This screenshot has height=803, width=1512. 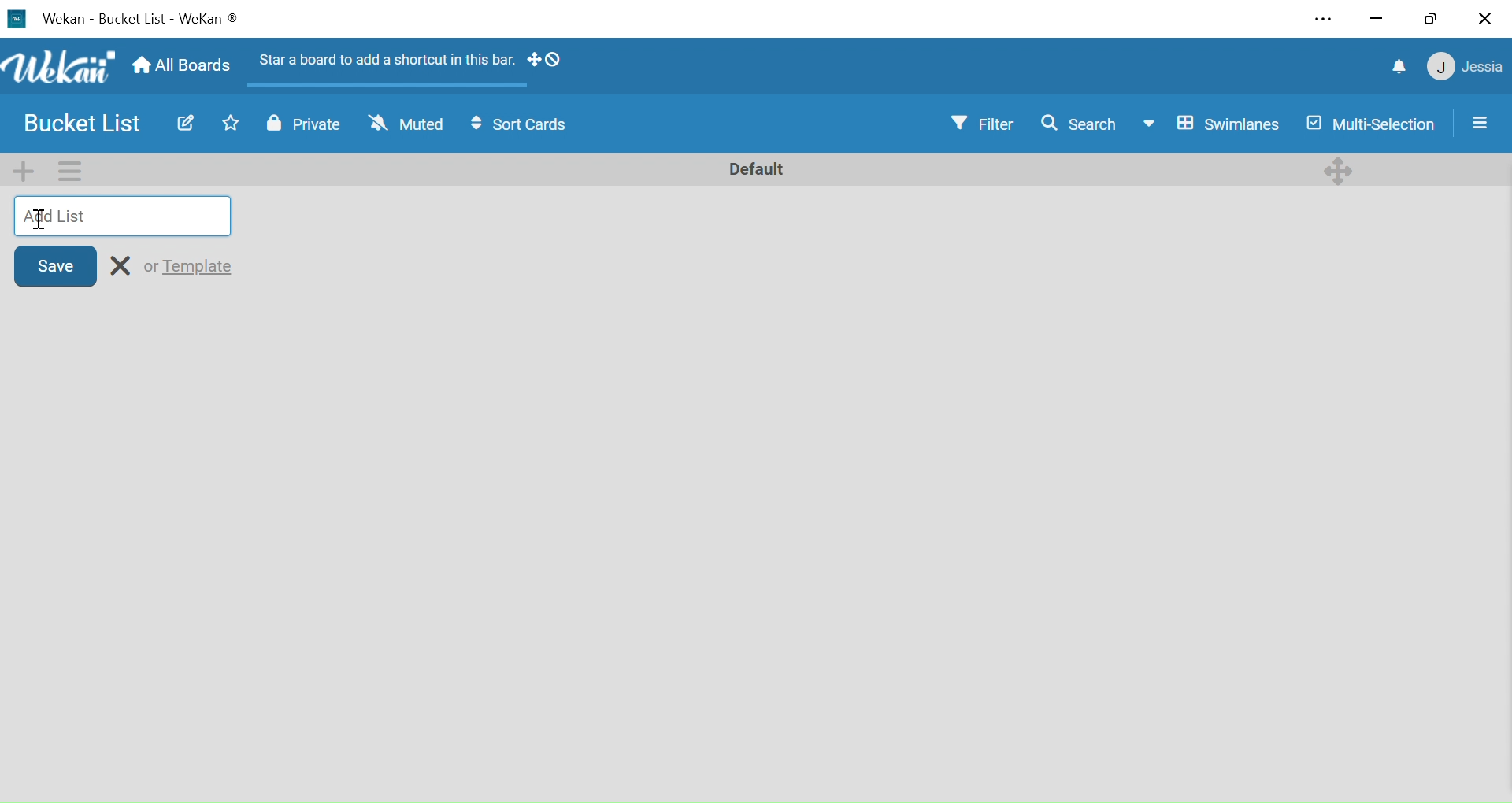 I want to click on Avatar, so click(x=1440, y=68).